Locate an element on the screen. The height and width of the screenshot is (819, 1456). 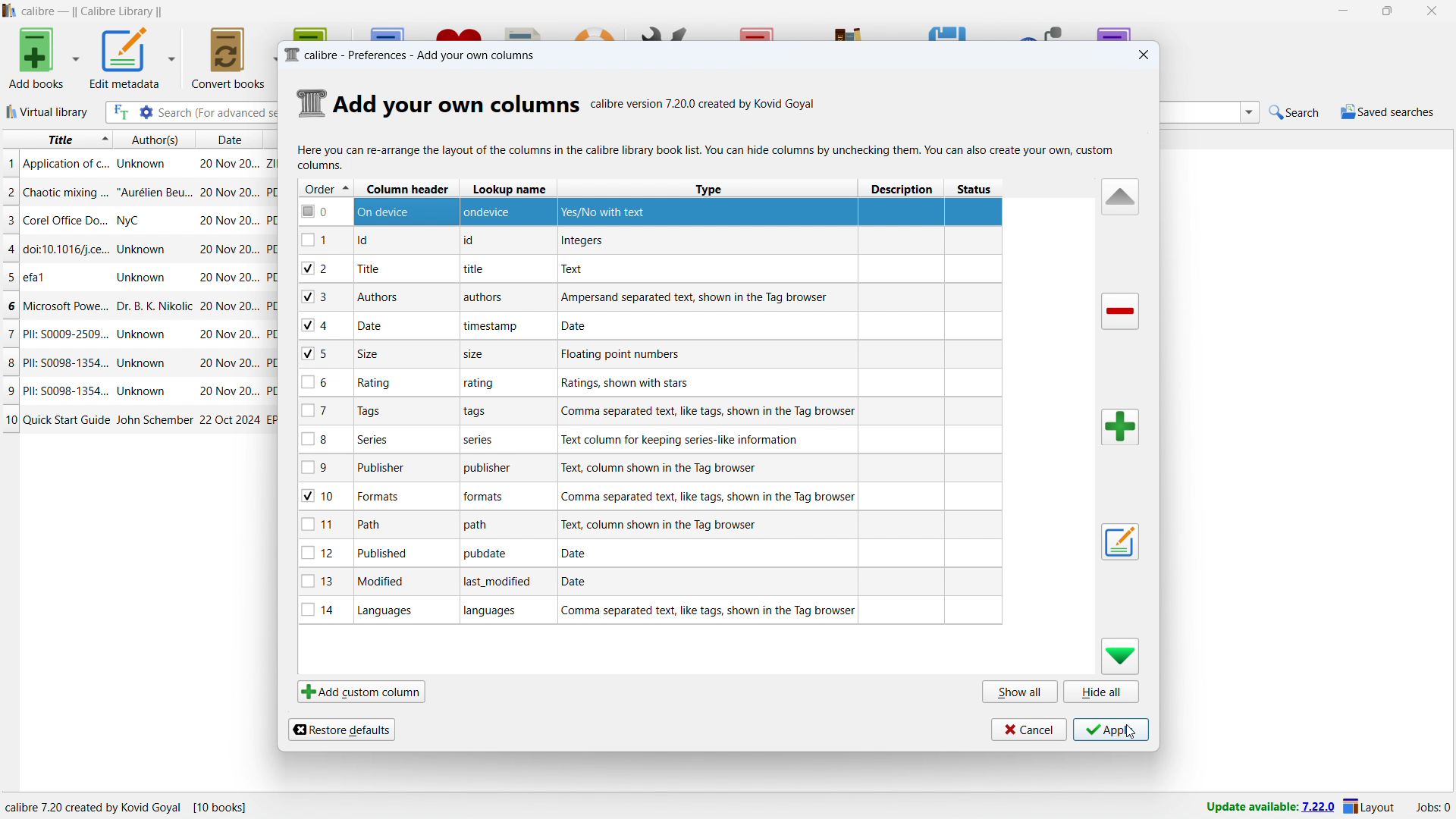
languages is located at coordinates (495, 613).